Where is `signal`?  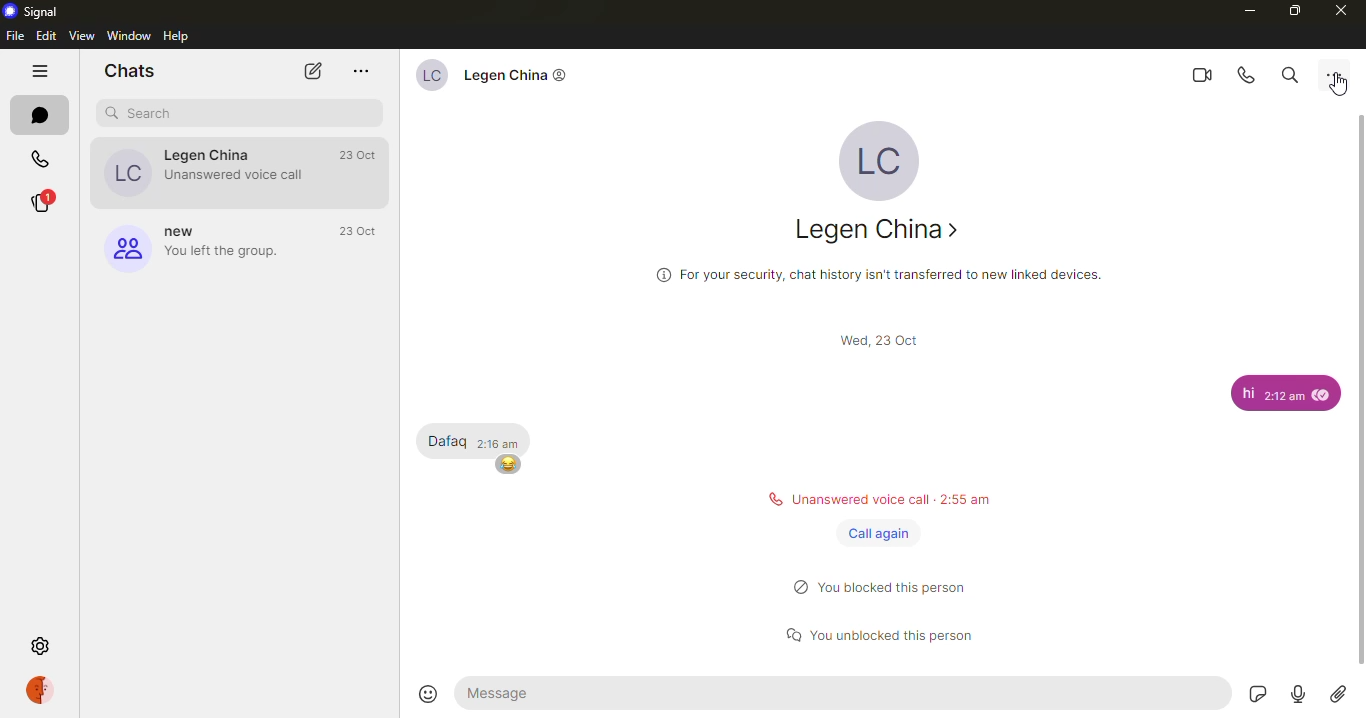
signal is located at coordinates (38, 10).